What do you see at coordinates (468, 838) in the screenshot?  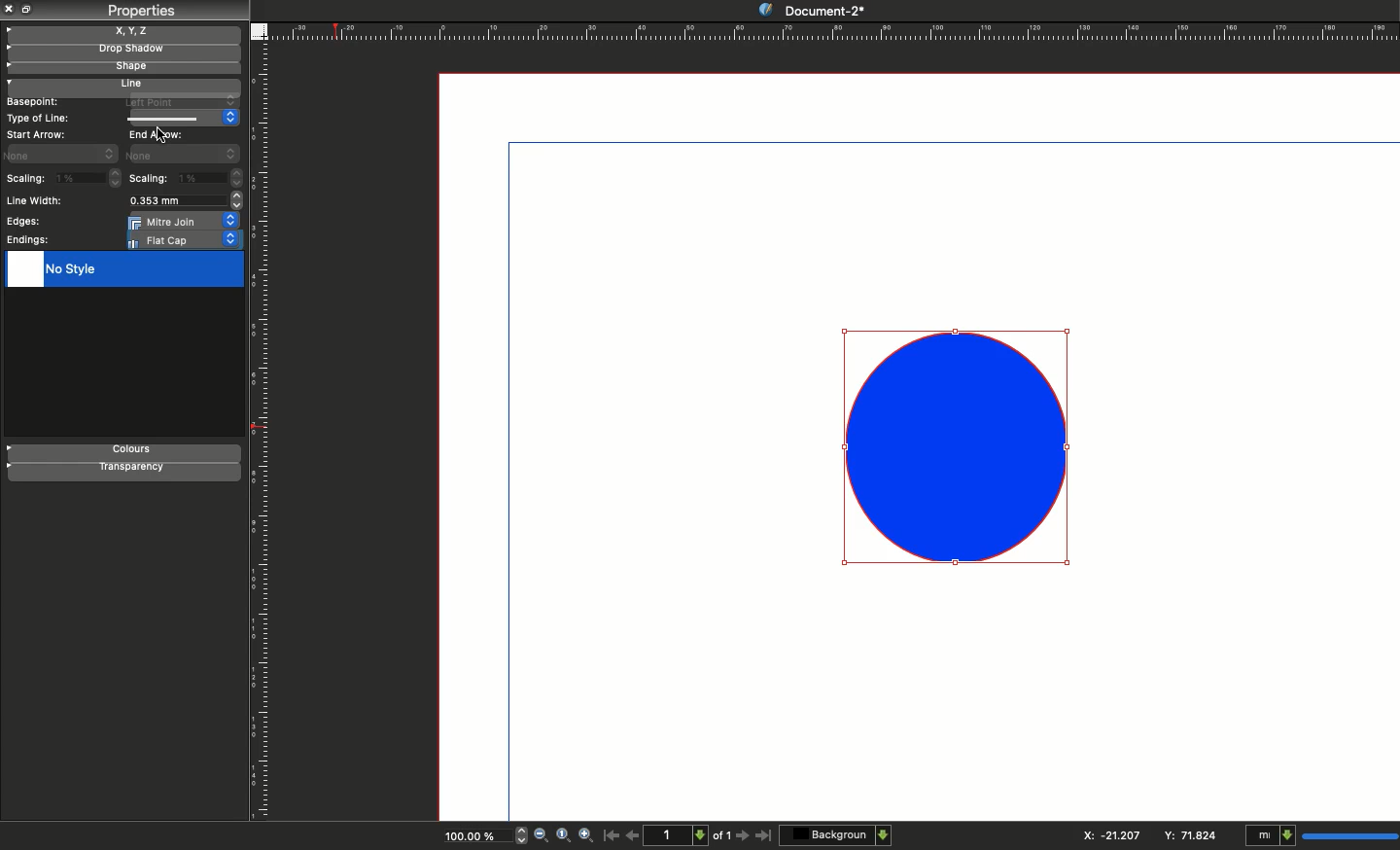 I see `100.00%` at bounding box center [468, 838].